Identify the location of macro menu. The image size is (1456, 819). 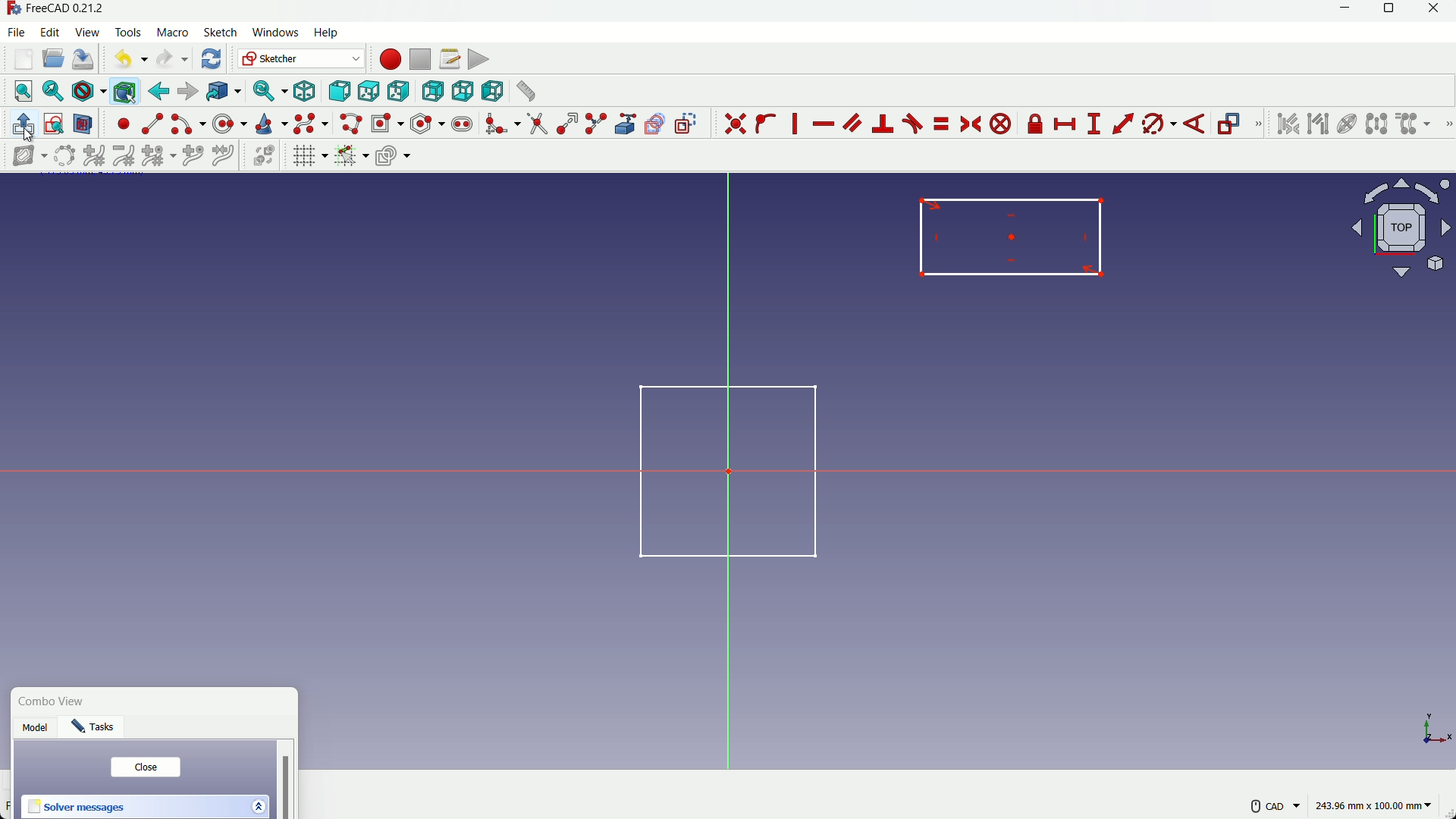
(170, 33).